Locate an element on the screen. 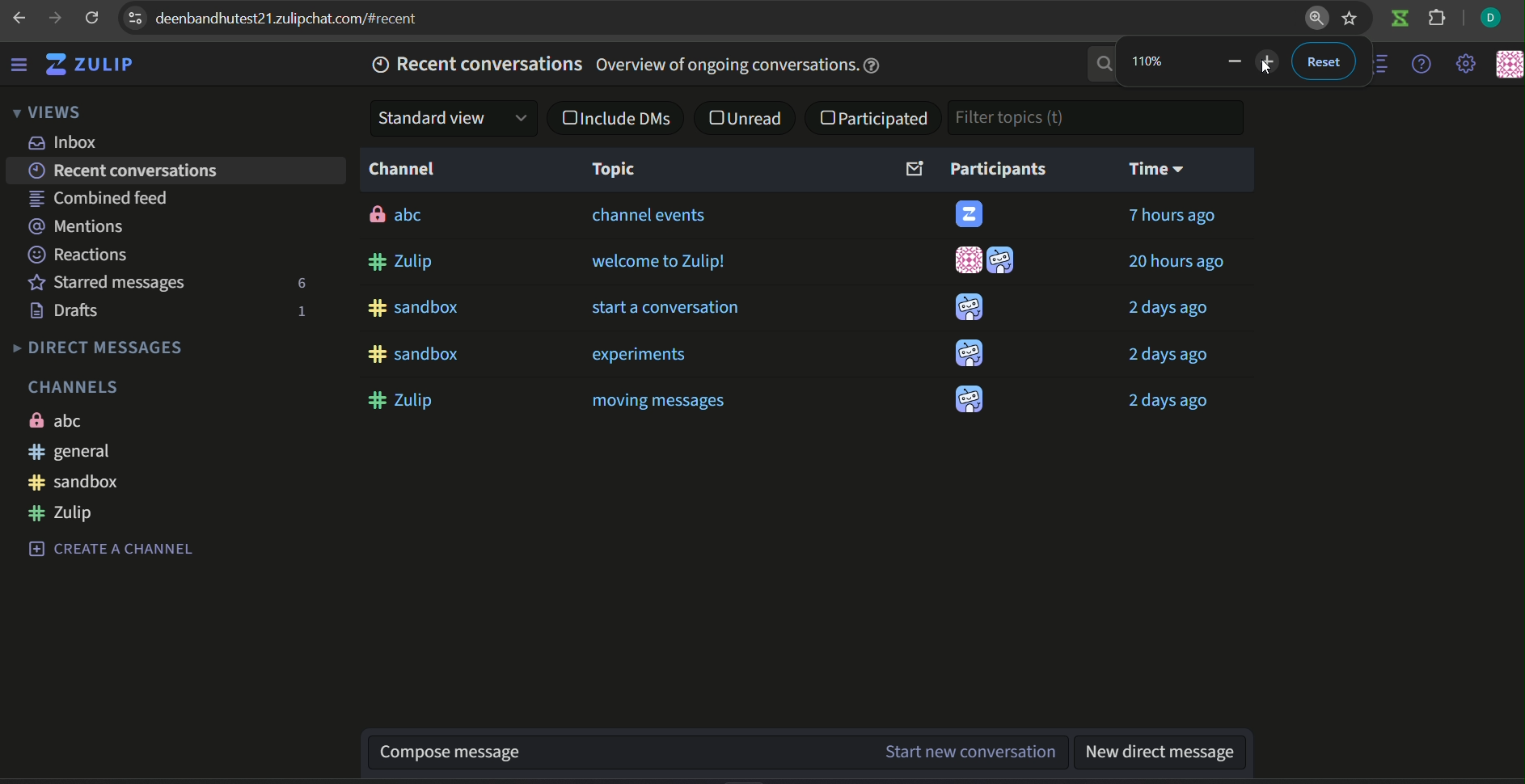  ABC is located at coordinates (60, 419).